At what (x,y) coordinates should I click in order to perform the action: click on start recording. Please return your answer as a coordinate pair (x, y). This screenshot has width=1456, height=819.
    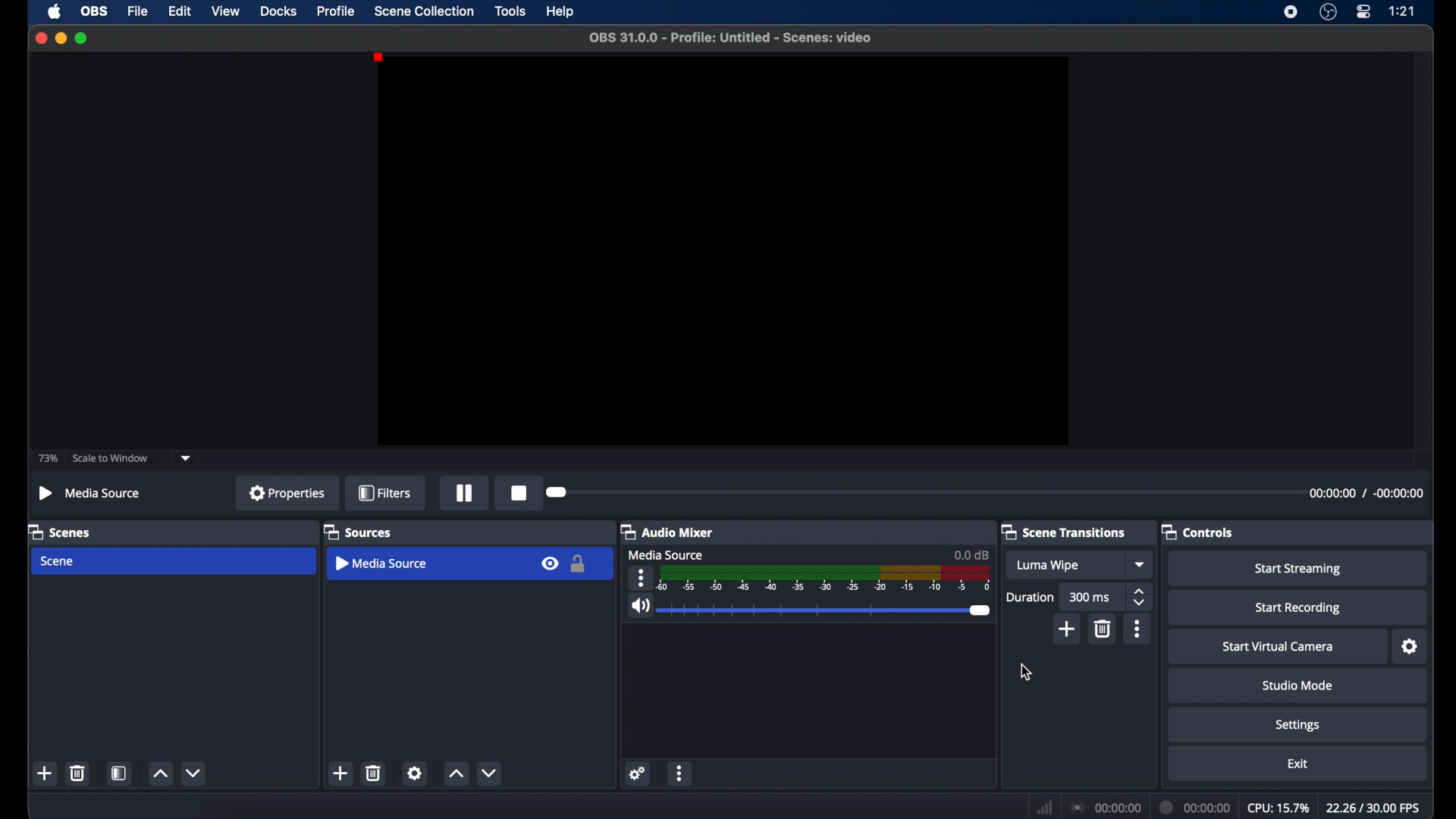
    Looking at the image, I should click on (1300, 607).